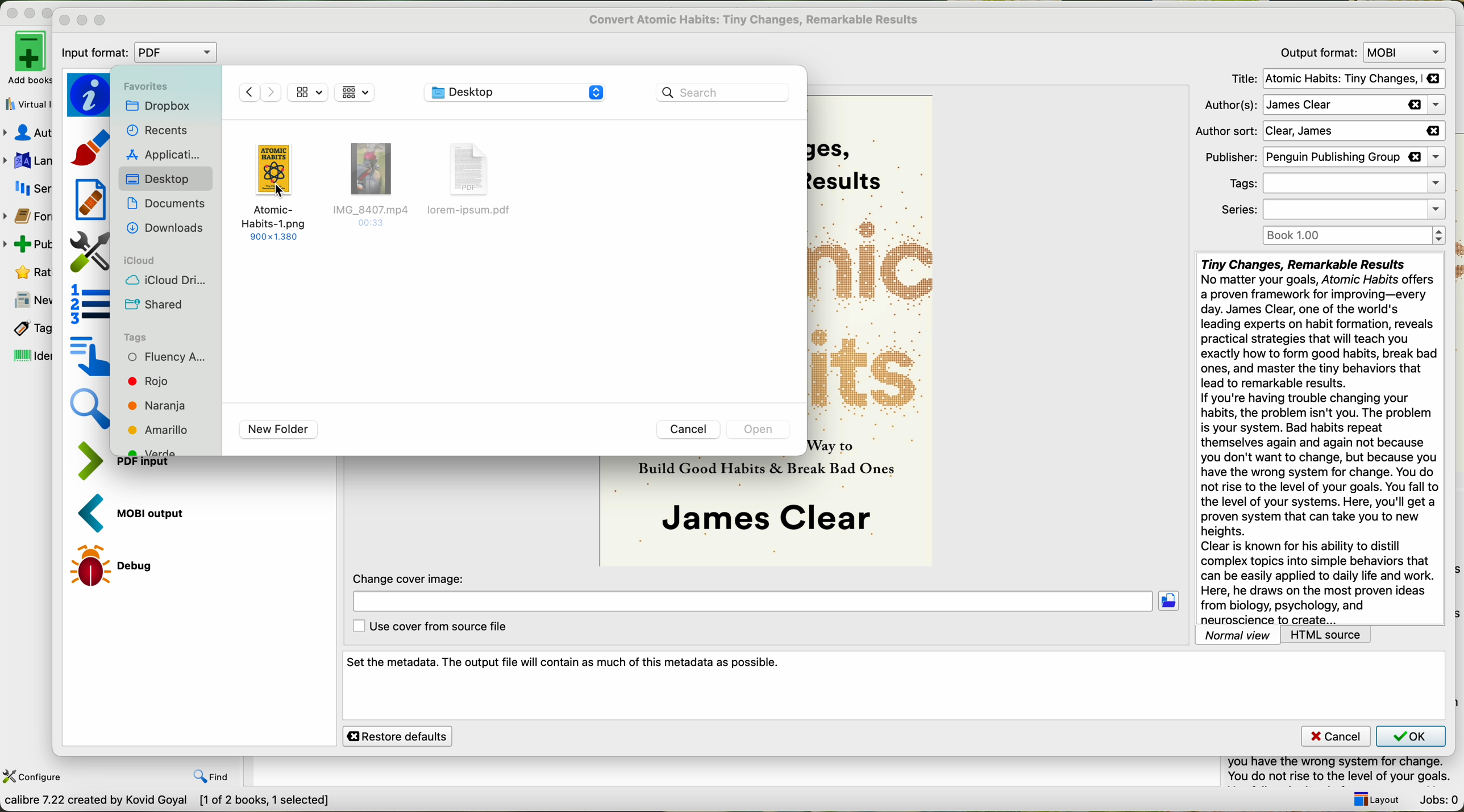  Describe the element at coordinates (156, 407) in the screenshot. I see `orange tag` at that location.